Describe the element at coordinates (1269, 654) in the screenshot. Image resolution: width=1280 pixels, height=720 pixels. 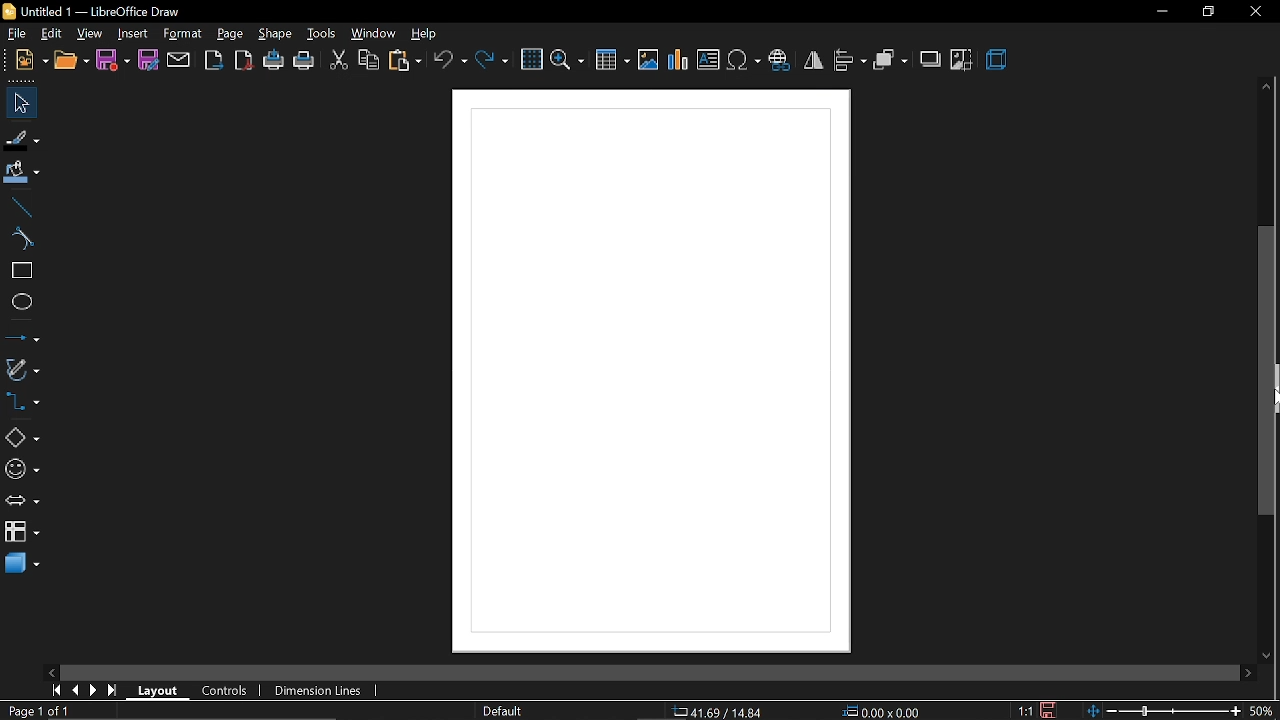
I see `move down` at that location.